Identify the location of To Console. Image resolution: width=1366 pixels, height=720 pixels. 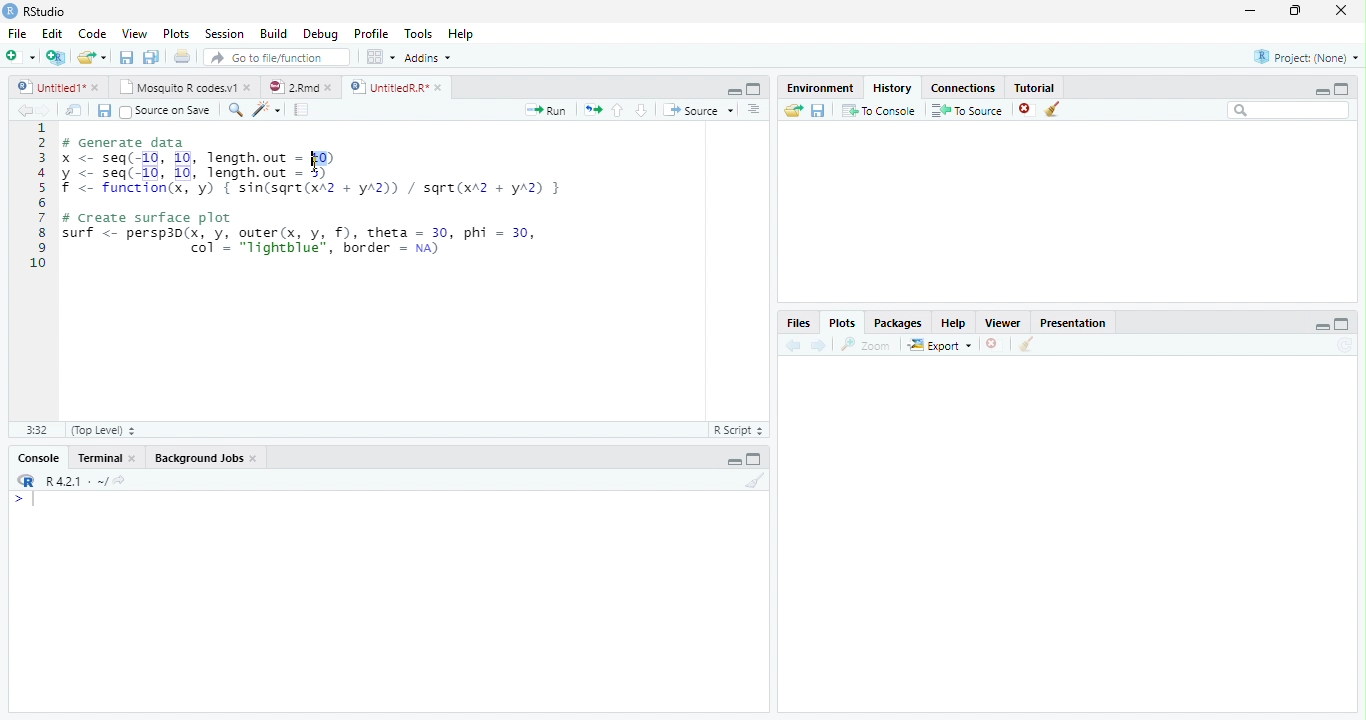
(879, 110).